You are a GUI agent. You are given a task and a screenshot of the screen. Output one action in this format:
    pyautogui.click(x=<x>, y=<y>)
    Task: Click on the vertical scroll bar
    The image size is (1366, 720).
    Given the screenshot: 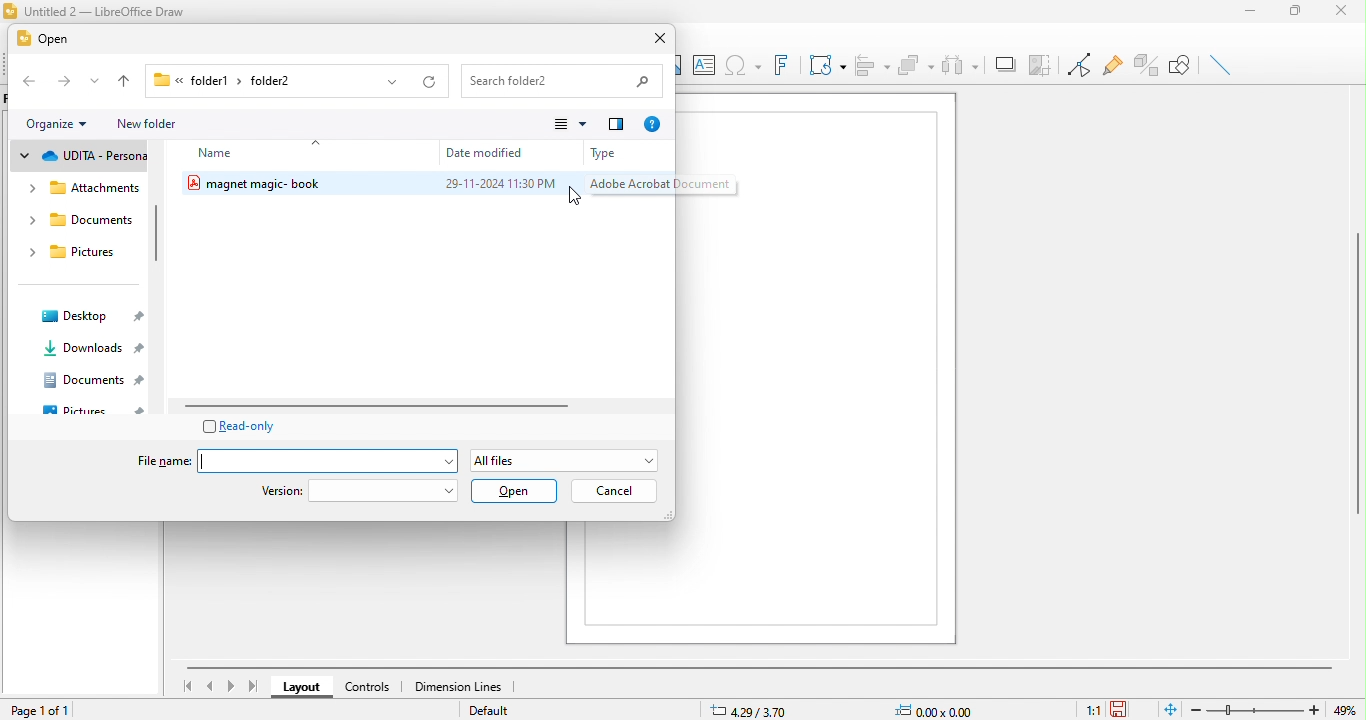 What is the action you would take?
    pyautogui.click(x=158, y=233)
    